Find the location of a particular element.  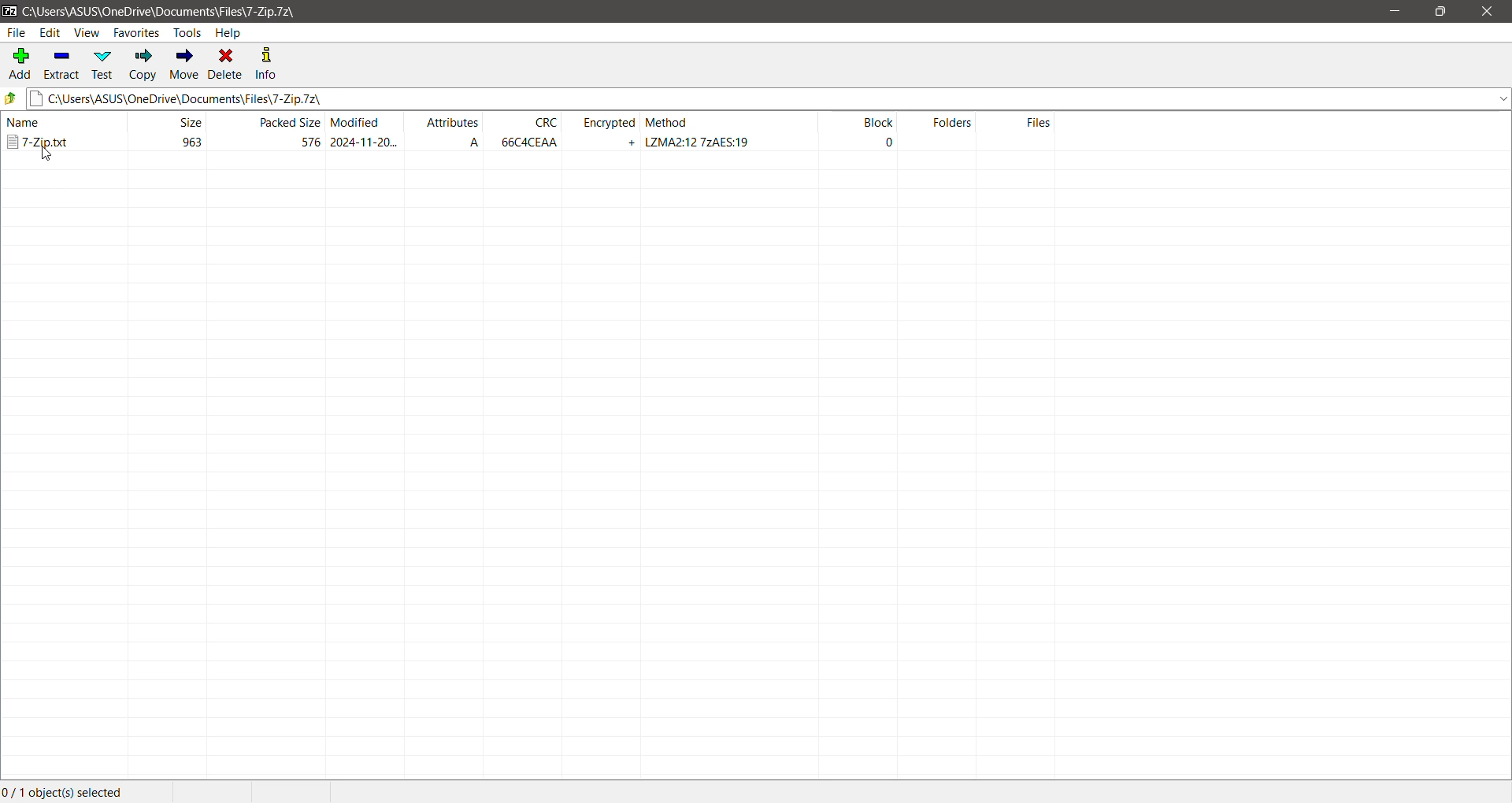

Minimize is located at coordinates (1393, 12).